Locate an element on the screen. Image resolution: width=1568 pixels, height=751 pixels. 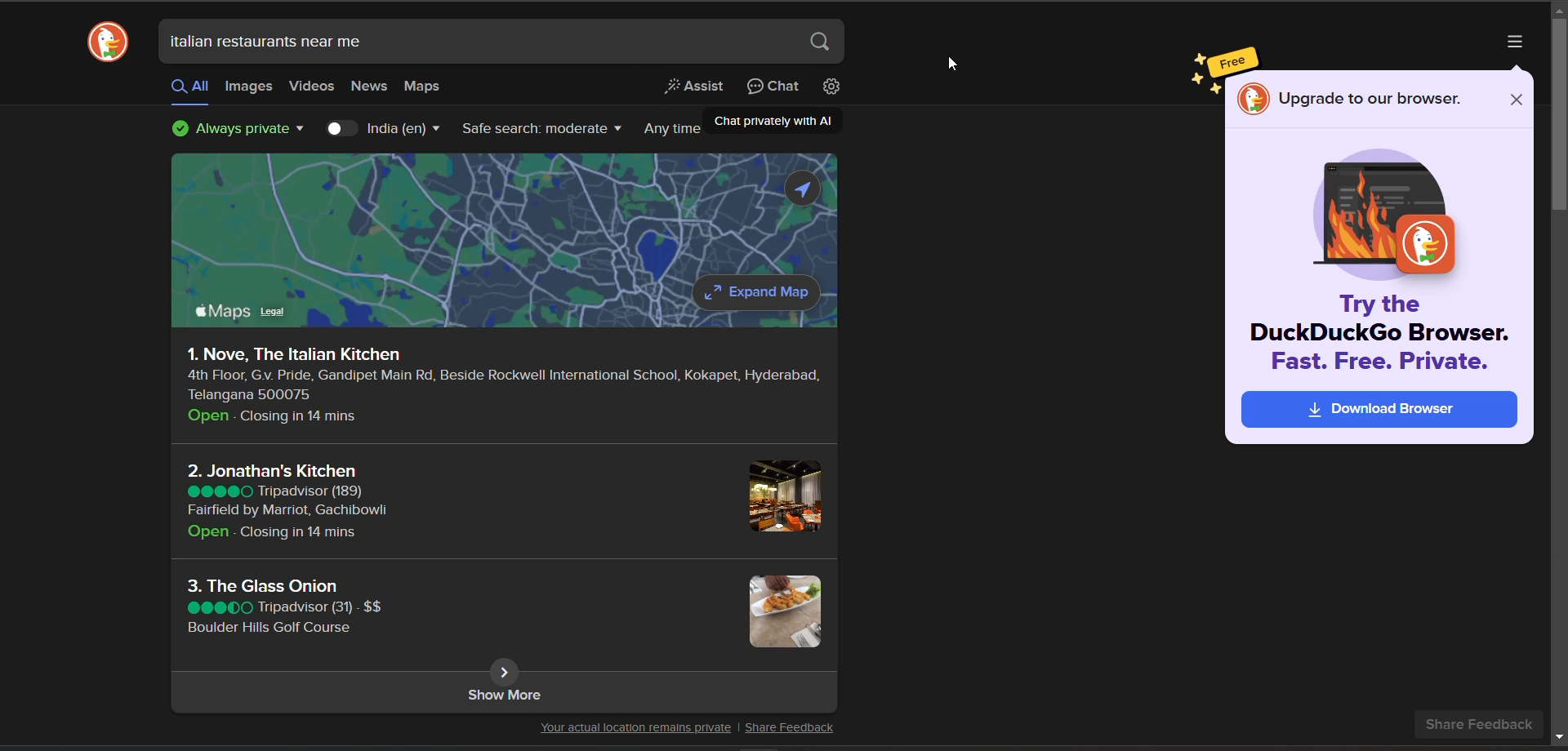
Upgrade to our browser. is located at coordinates (1371, 99).